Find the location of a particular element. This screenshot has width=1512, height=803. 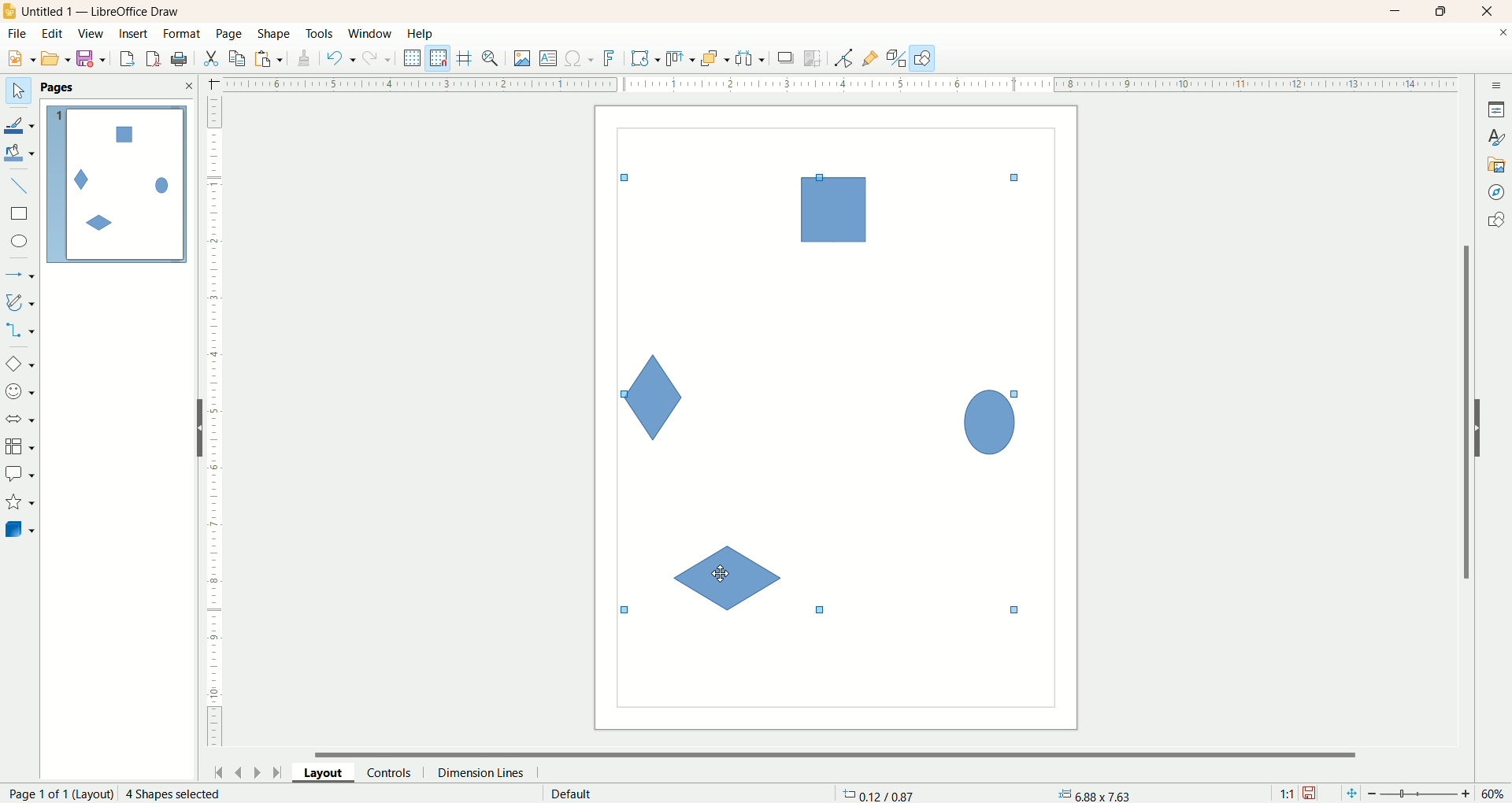

vertical scroll bar is located at coordinates (1463, 412).